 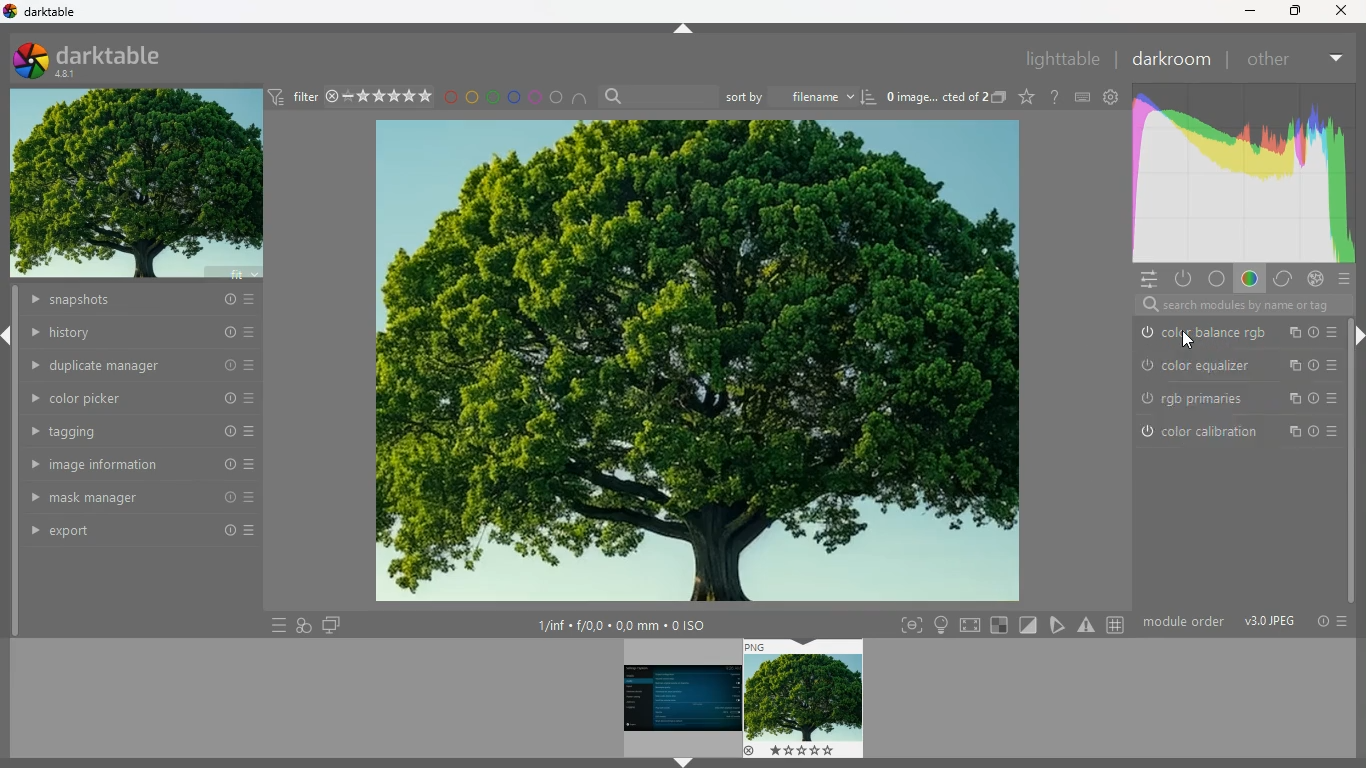 What do you see at coordinates (1238, 365) in the screenshot?
I see `color equalizer` at bounding box center [1238, 365].